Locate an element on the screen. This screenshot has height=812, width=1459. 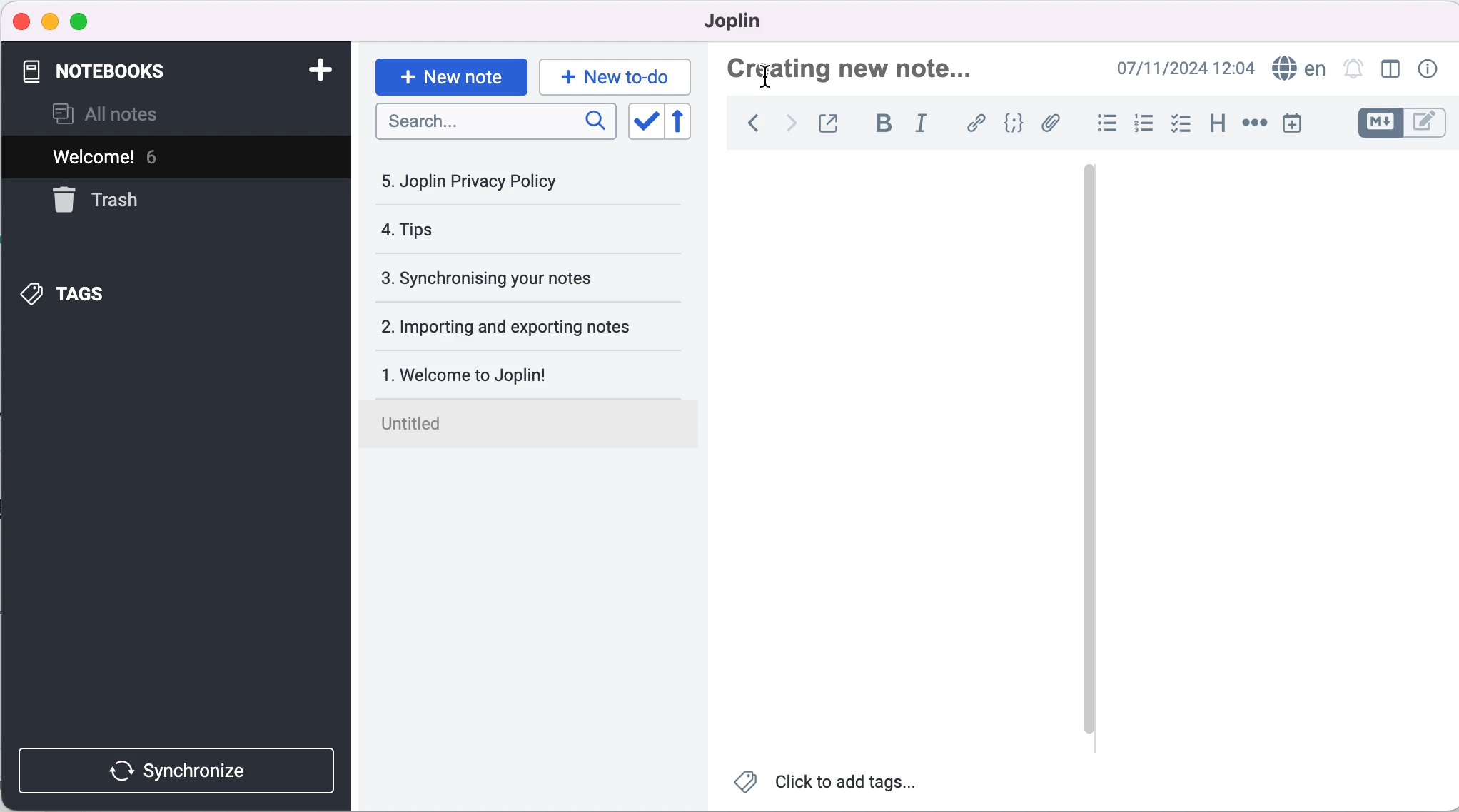
minimize is located at coordinates (50, 21).